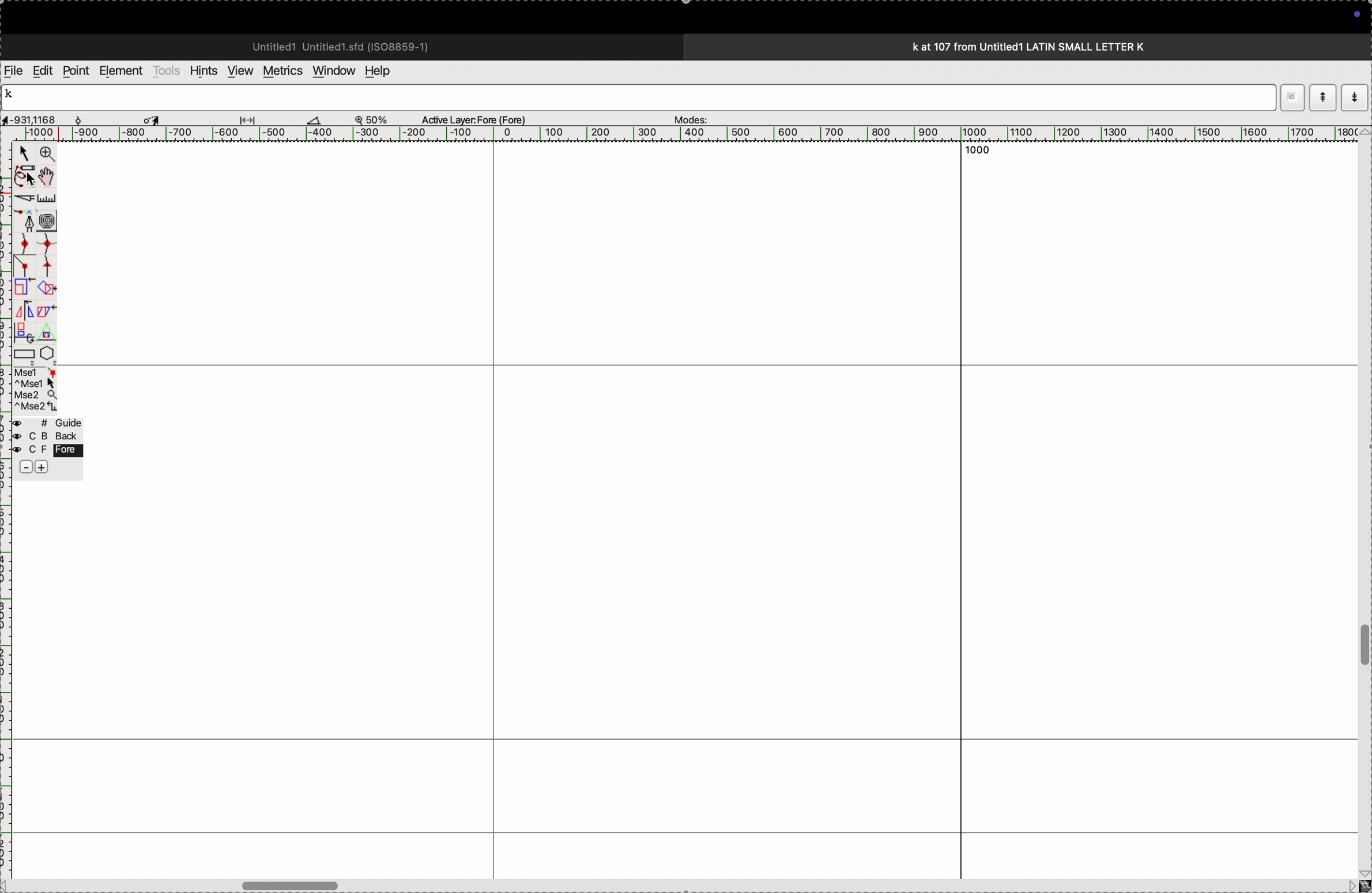 This screenshot has width=1372, height=893. Describe the element at coordinates (54, 446) in the screenshot. I see `Guide` at that location.